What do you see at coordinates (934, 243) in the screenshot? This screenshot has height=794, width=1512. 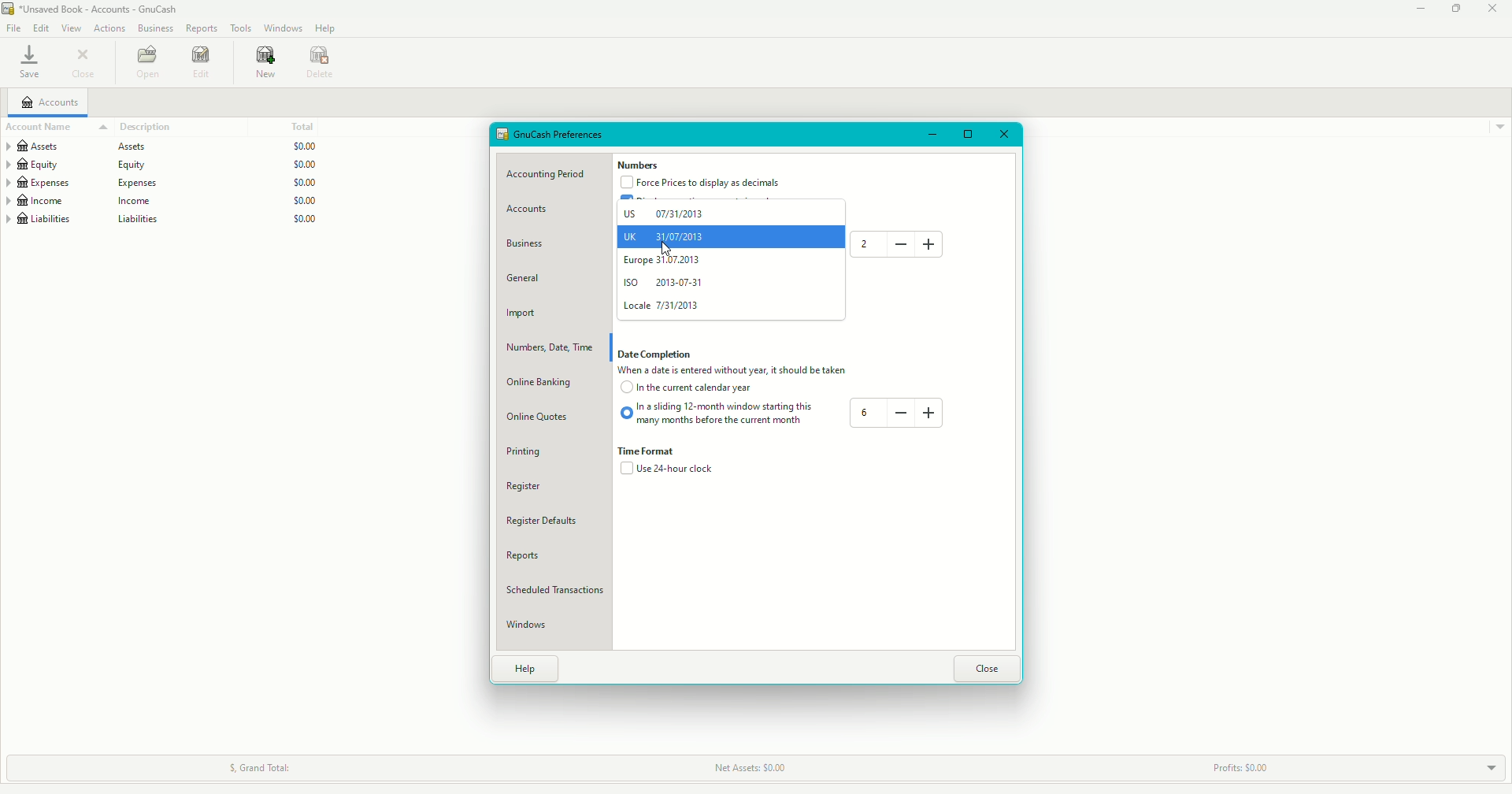 I see `Plus` at bounding box center [934, 243].